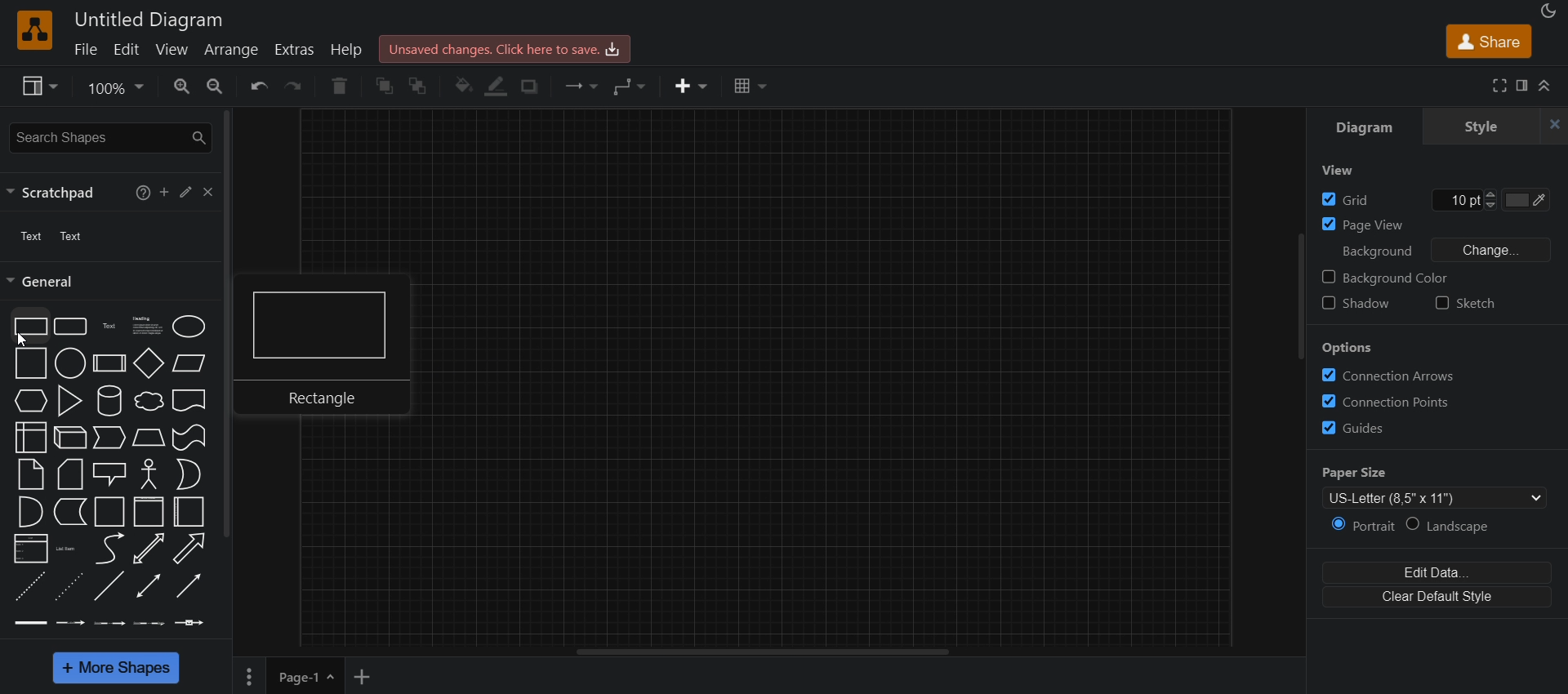 The height and width of the screenshot is (694, 1568). What do you see at coordinates (190, 438) in the screenshot?
I see `tape` at bounding box center [190, 438].